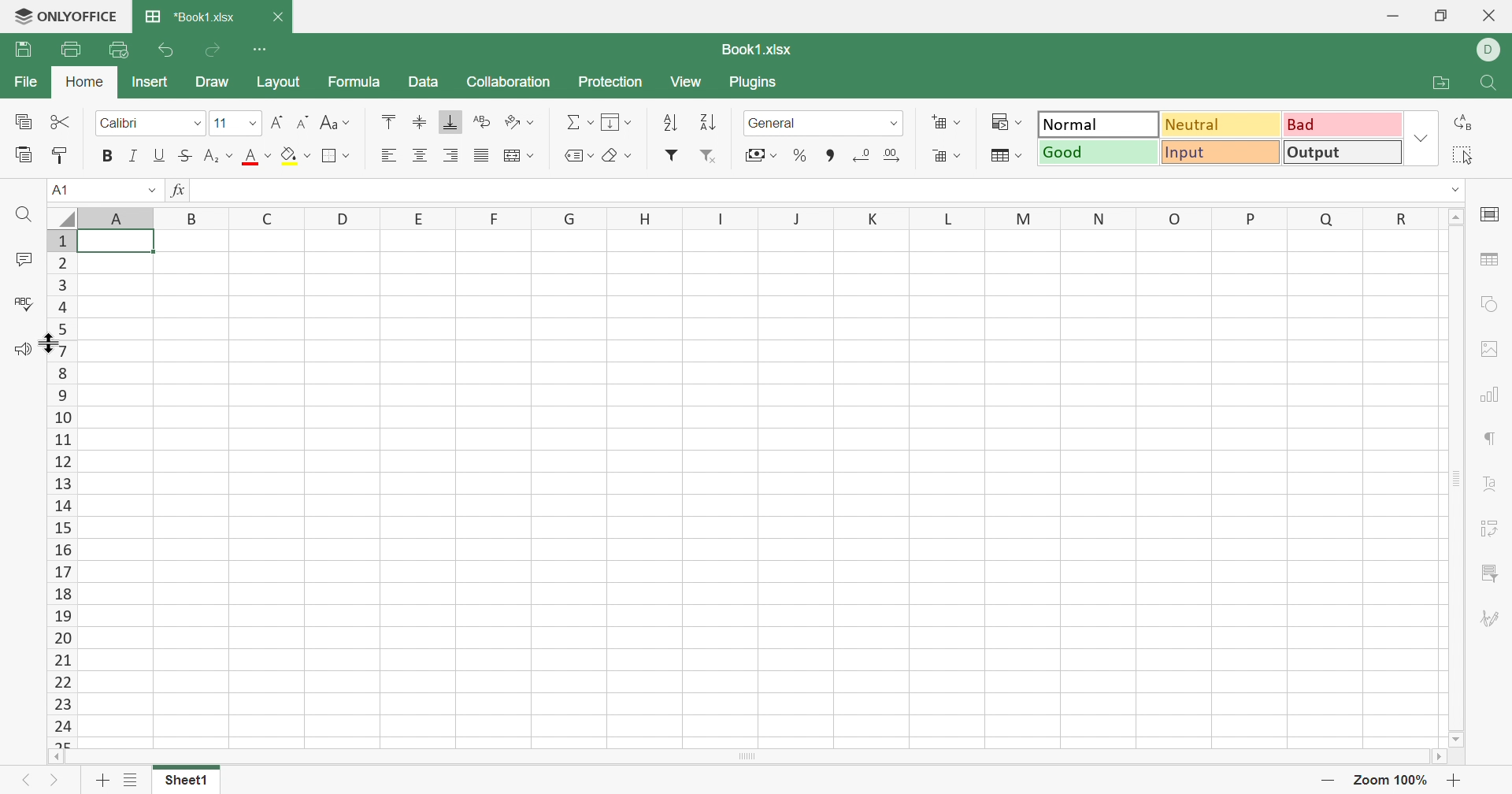  Describe the element at coordinates (615, 120) in the screenshot. I see `Fill` at that location.